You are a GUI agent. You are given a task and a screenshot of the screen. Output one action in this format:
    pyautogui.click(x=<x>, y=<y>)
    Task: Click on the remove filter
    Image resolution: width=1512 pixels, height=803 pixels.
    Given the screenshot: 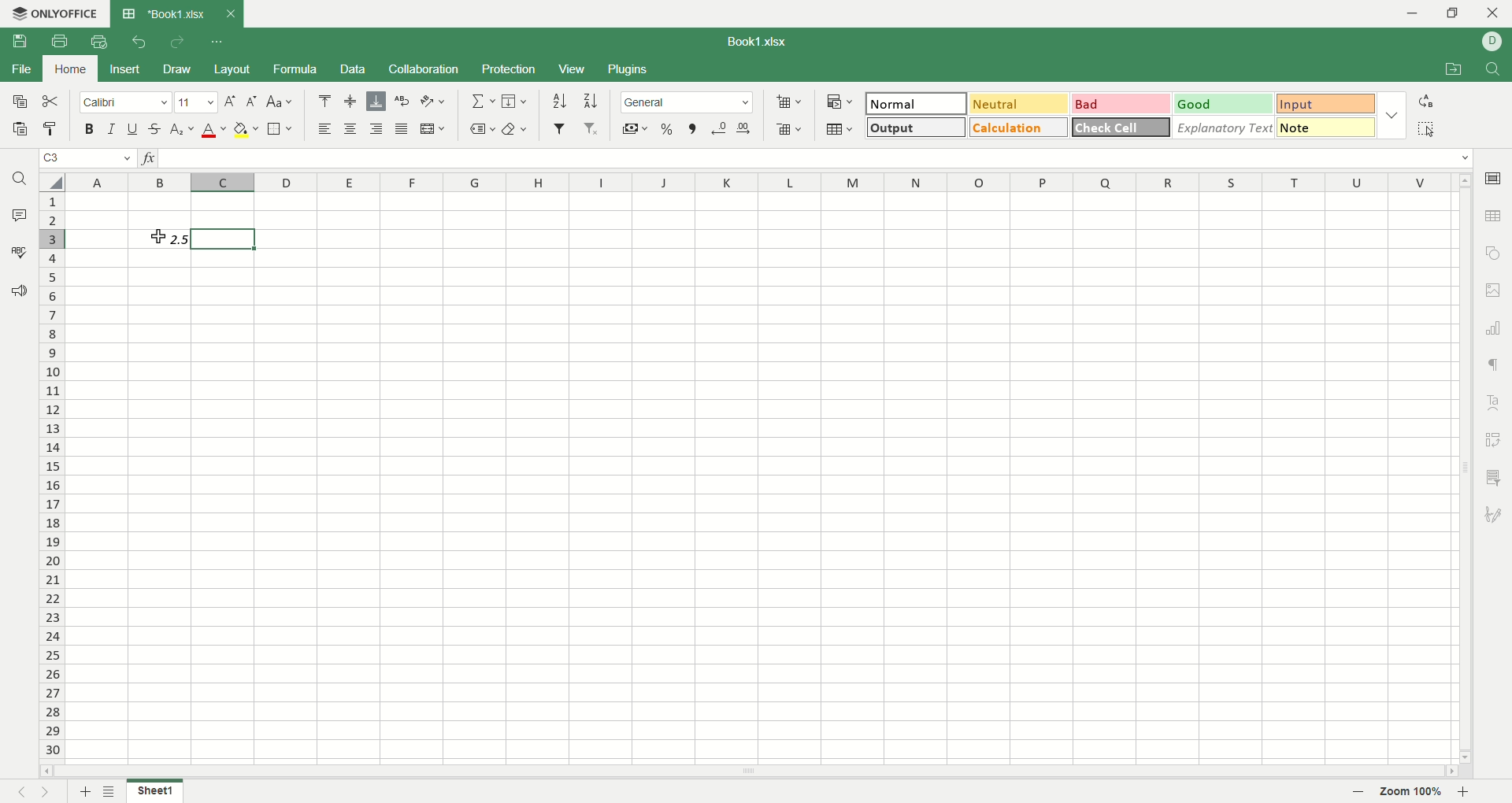 What is the action you would take?
    pyautogui.click(x=592, y=128)
    